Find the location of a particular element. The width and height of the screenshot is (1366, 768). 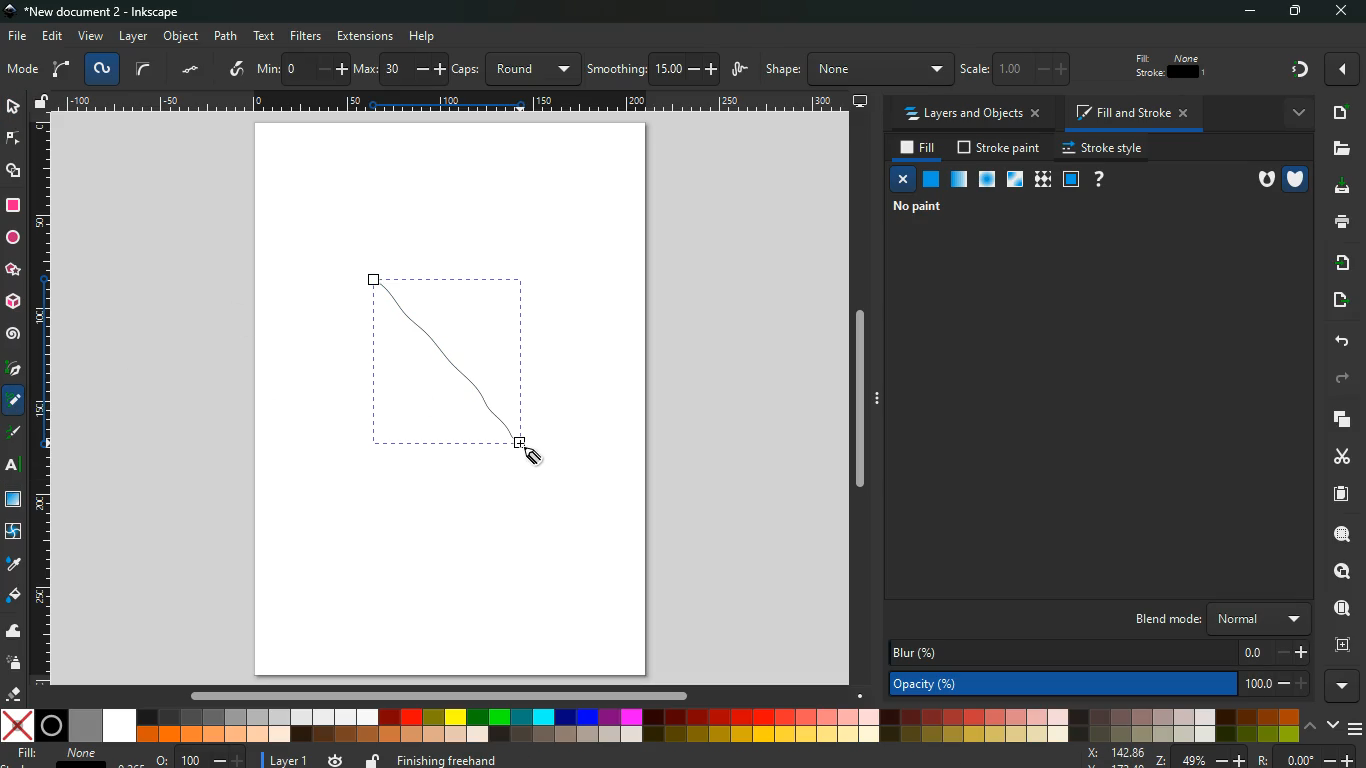

file is located at coordinates (15, 38).